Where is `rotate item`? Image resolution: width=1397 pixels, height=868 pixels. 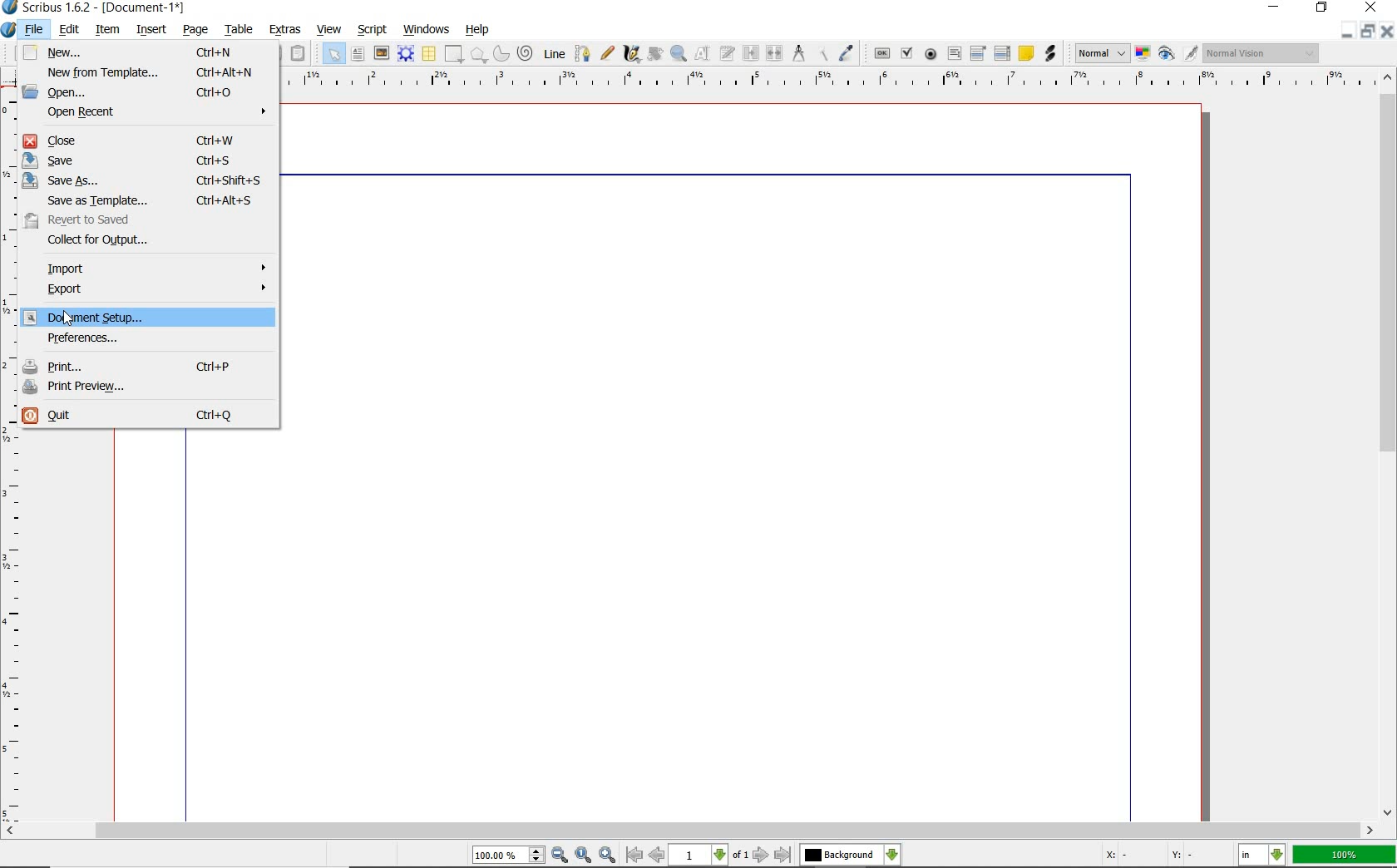
rotate item is located at coordinates (655, 55).